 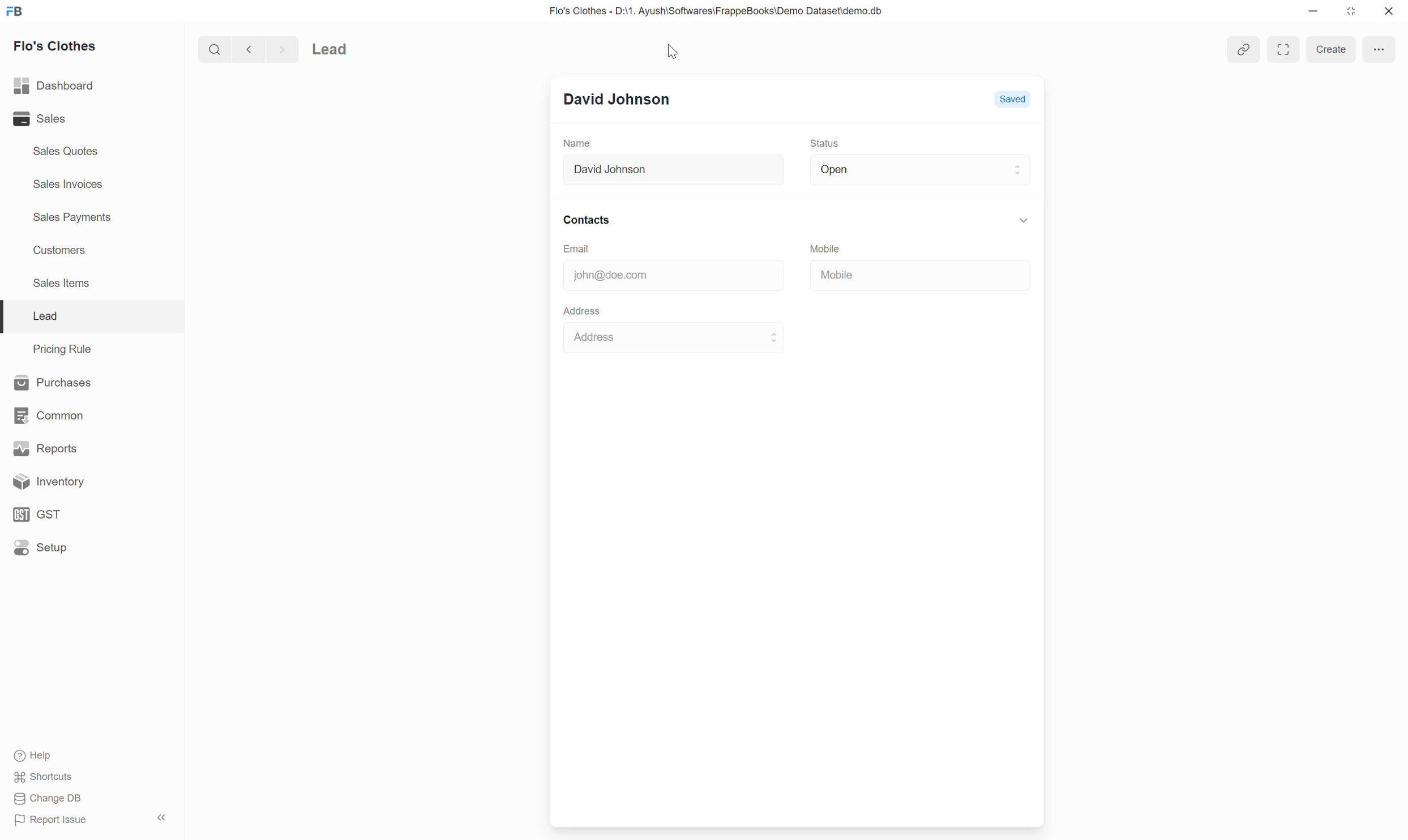 What do you see at coordinates (831, 246) in the screenshot?
I see `Mobile` at bounding box center [831, 246].